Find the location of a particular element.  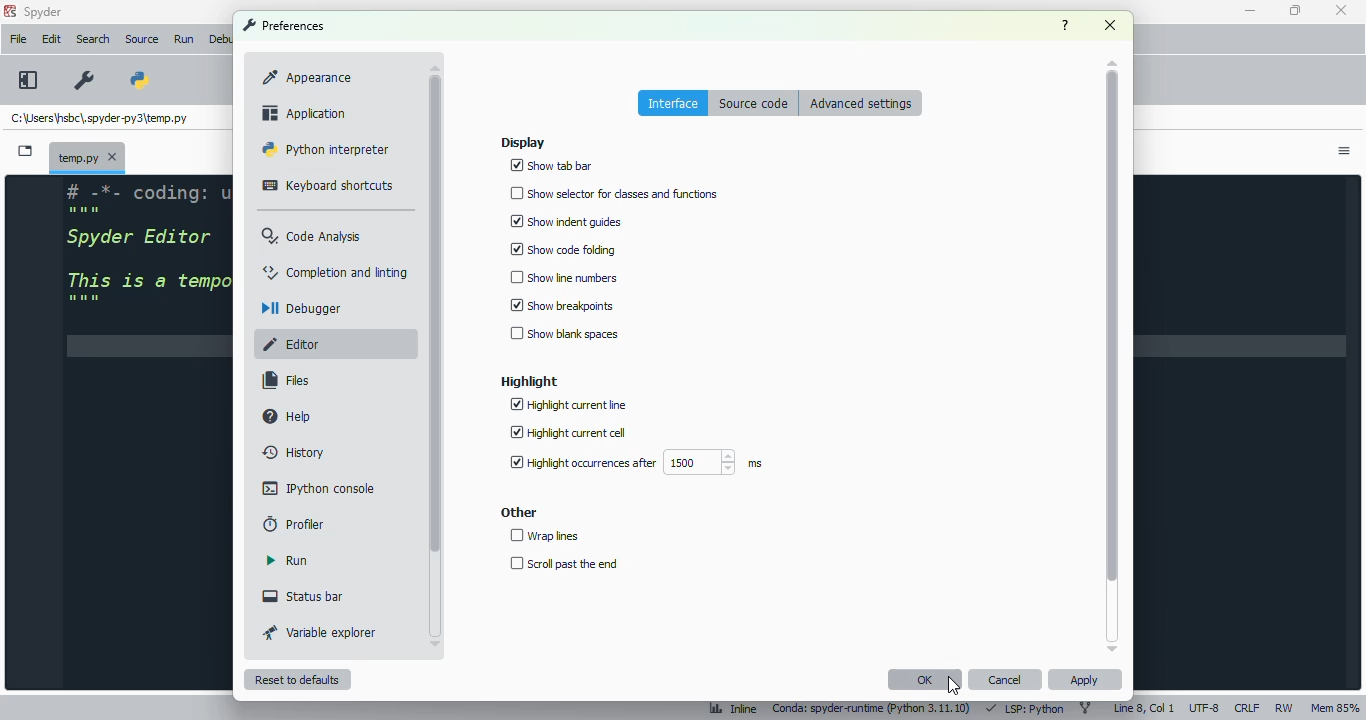

show breakpoints is located at coordinates (561, 305).